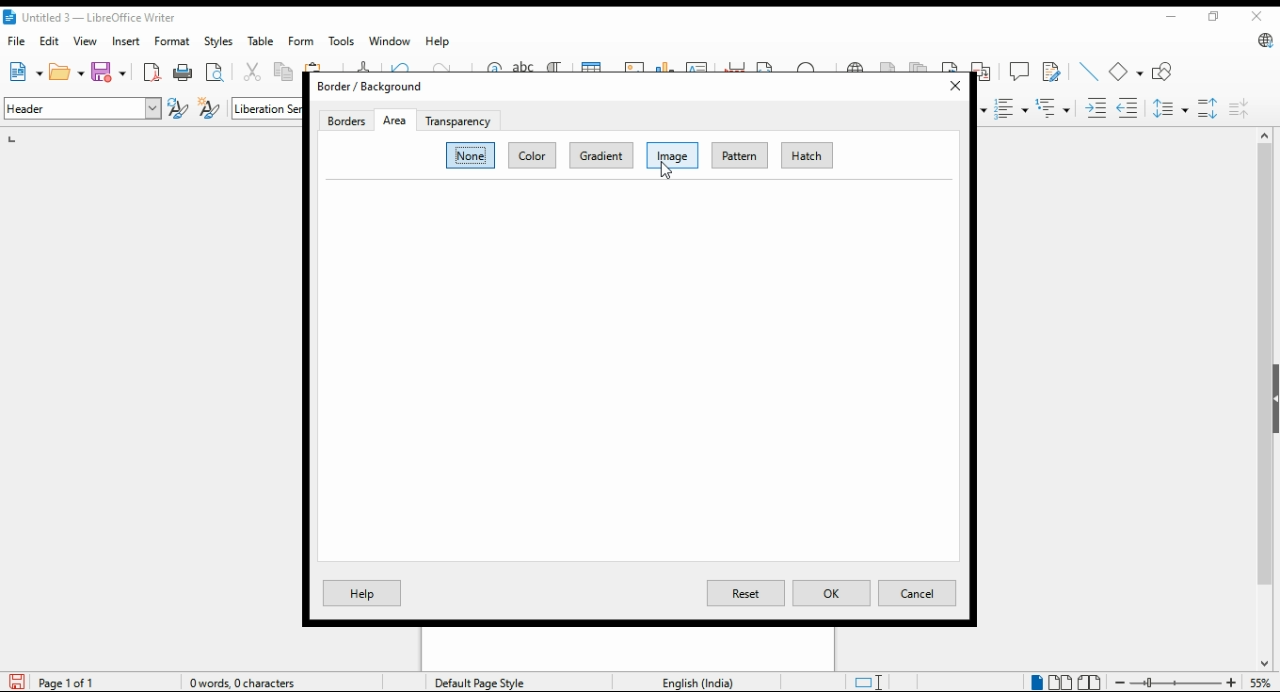  Describe the element at coordinates (805, 156) in the screenshot. I see `hatch` at that location.